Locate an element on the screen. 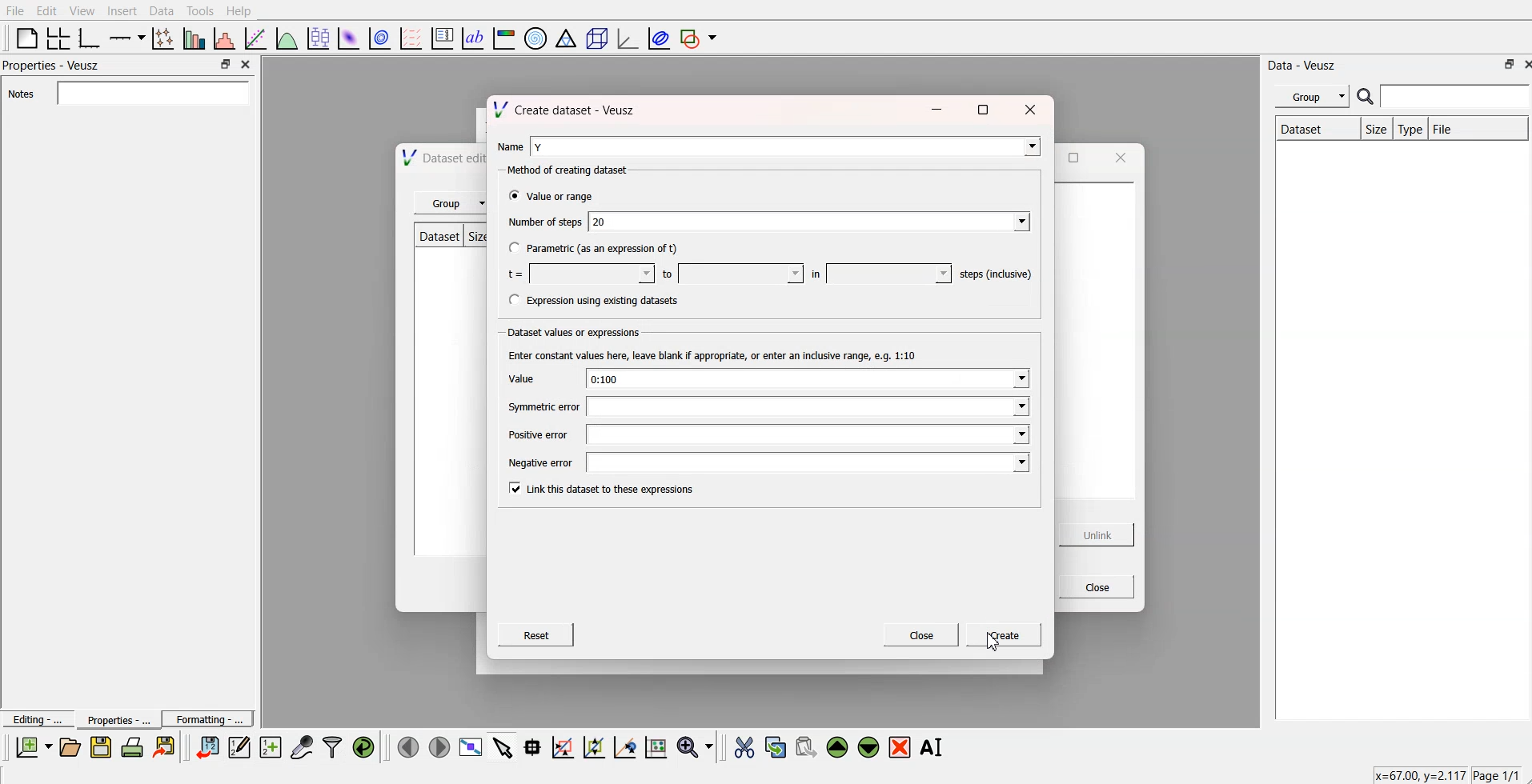  steps (inclusive is located at coordinates (991, 271).